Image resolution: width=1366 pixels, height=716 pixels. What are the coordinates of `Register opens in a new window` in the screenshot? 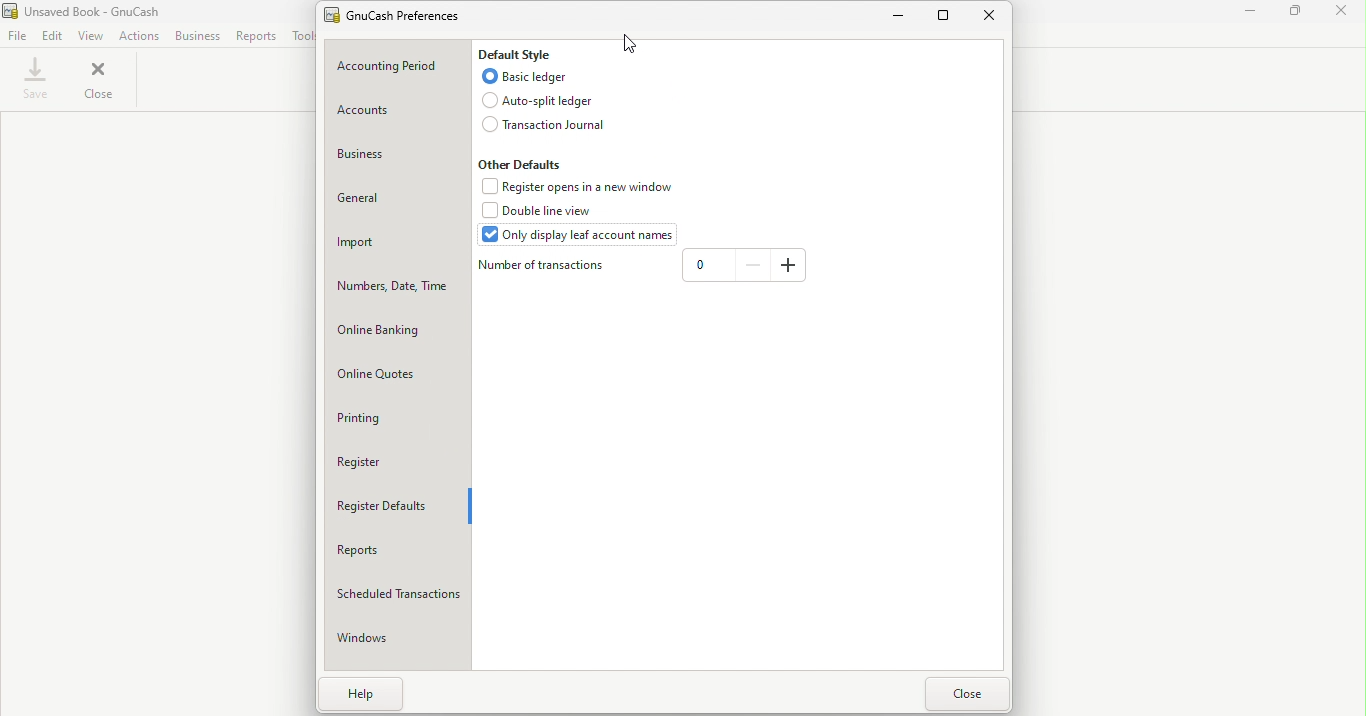 It's located at (580, 187).